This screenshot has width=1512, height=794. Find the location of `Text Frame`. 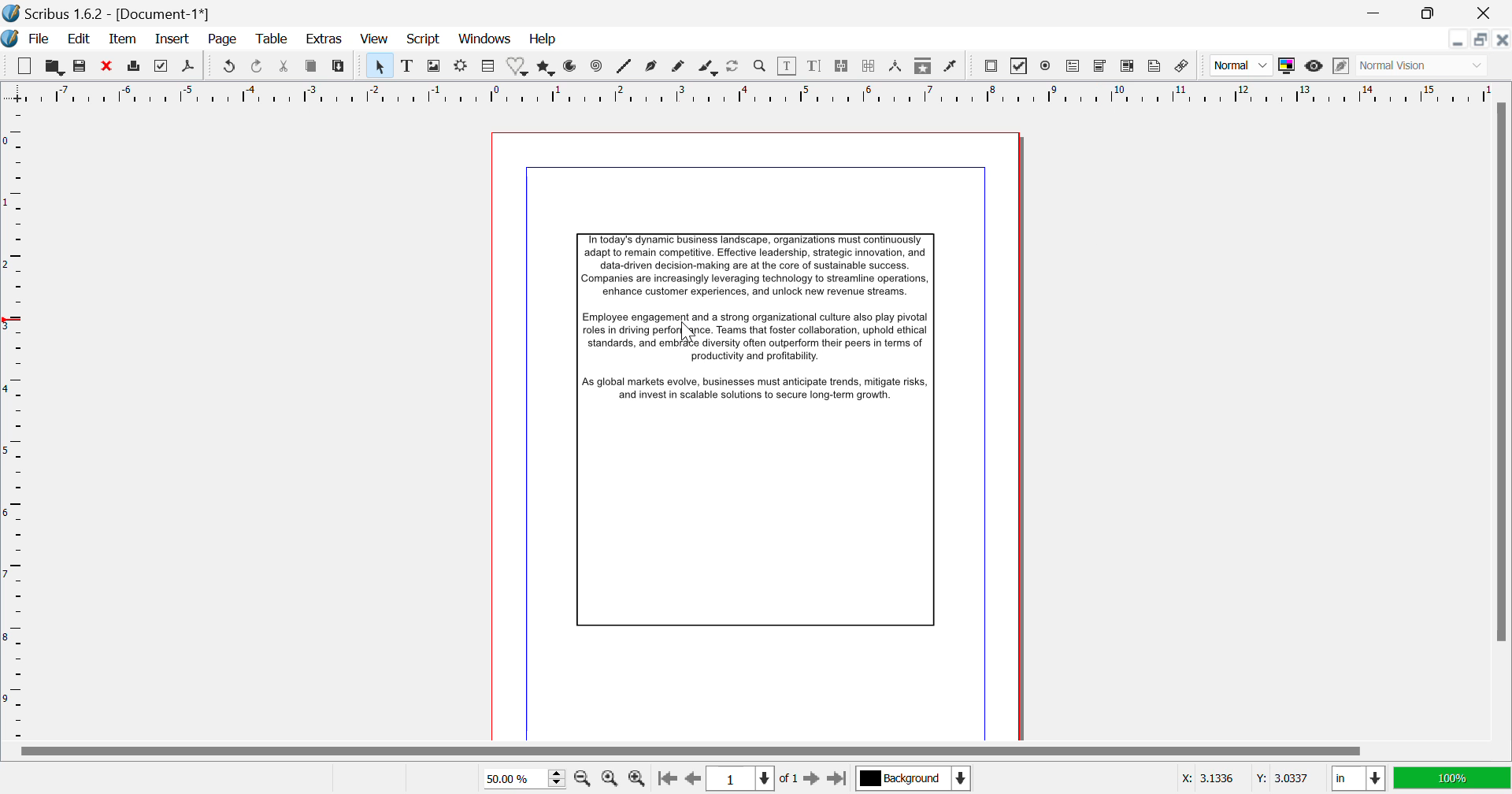

Text Frame is located at coordinates (407, 66).